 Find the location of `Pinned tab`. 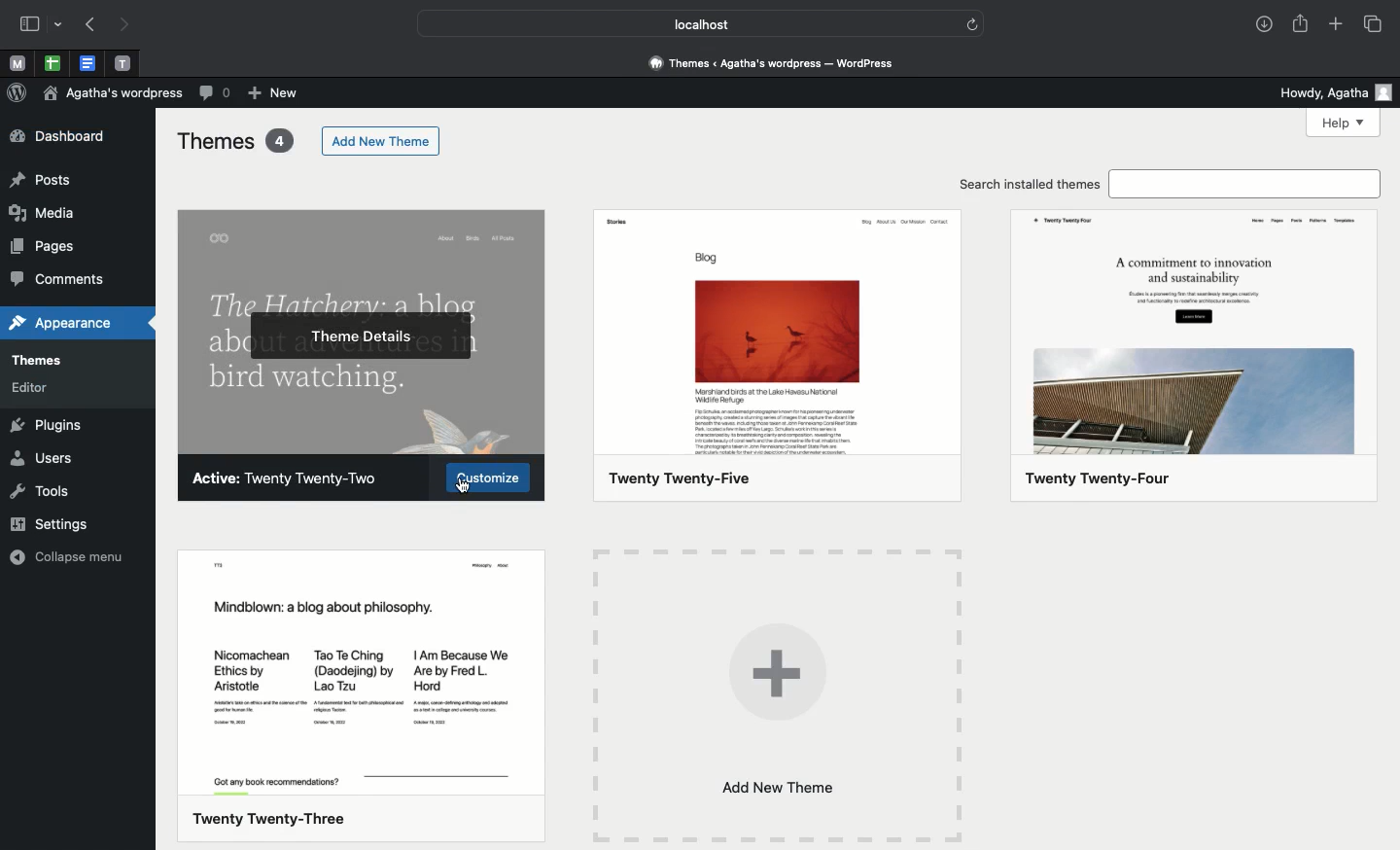

Pinned tab is located at coordinates (17, 64).